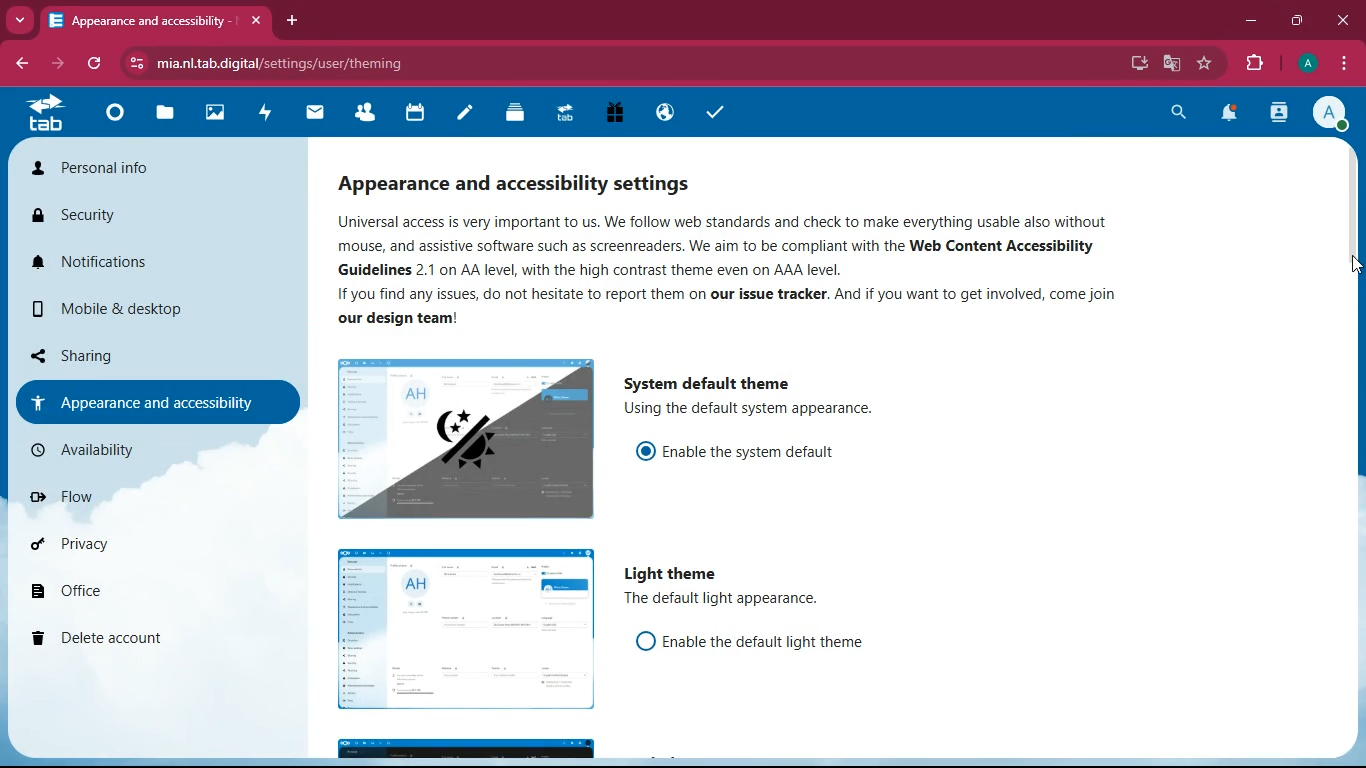 This screenshot has width=1366, height=768. Describe the element at coordinates (1206, 65) in the screenshot. I see `favourite` at that location.